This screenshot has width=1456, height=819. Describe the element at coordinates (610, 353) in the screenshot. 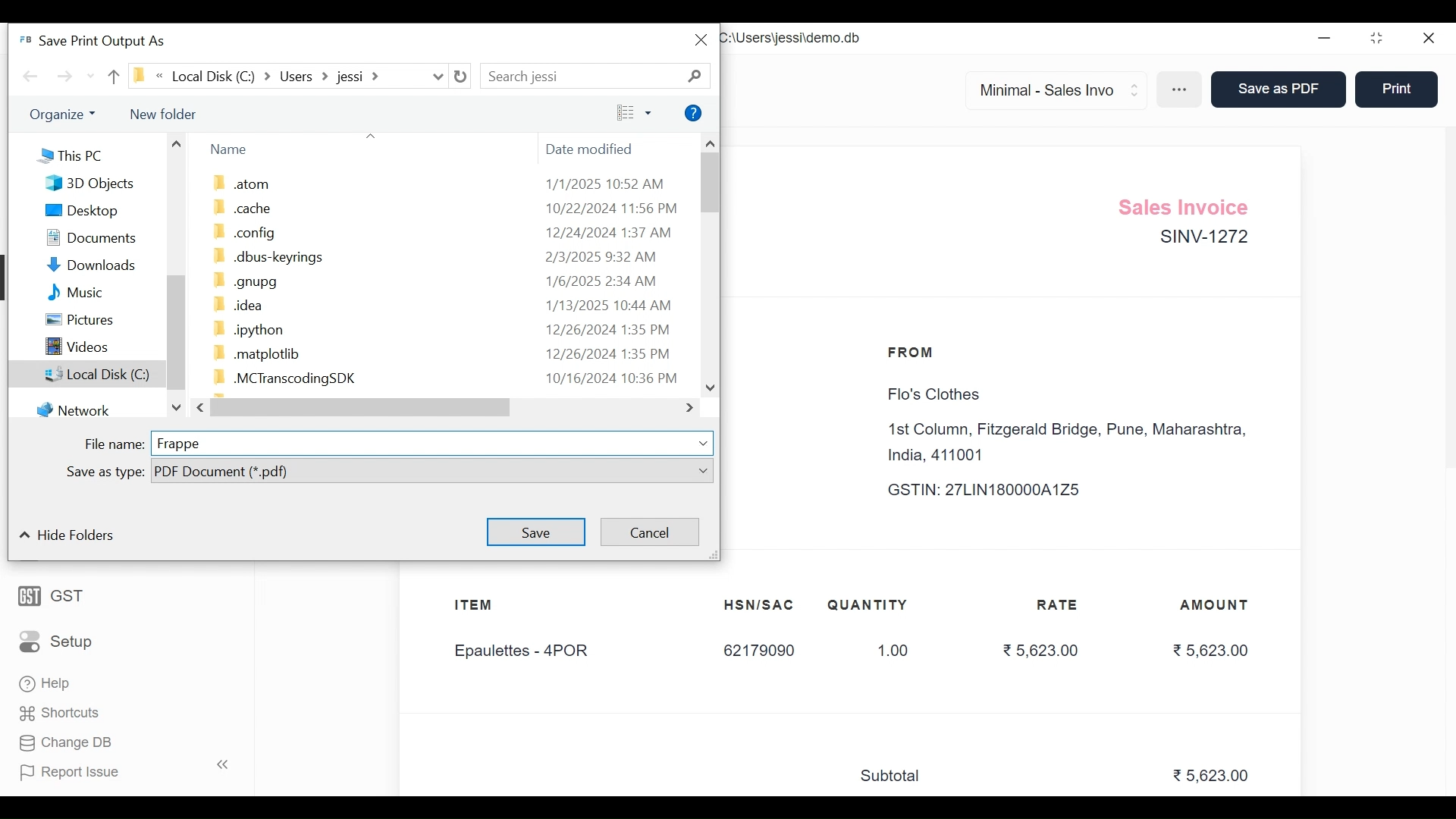

I see `12/26/2024 1:35 PM` at that location.